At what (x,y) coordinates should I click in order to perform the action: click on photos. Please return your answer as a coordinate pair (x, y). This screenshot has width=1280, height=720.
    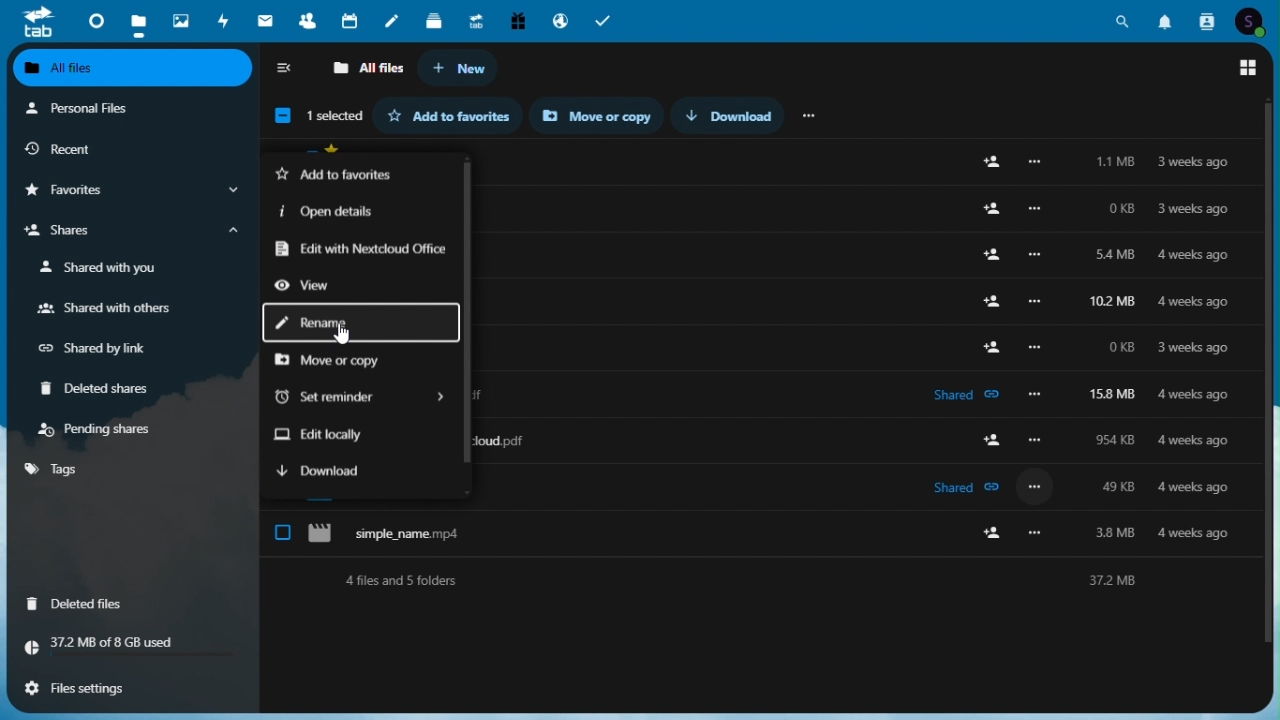
    Looking at the image, I should click on (179, 17).